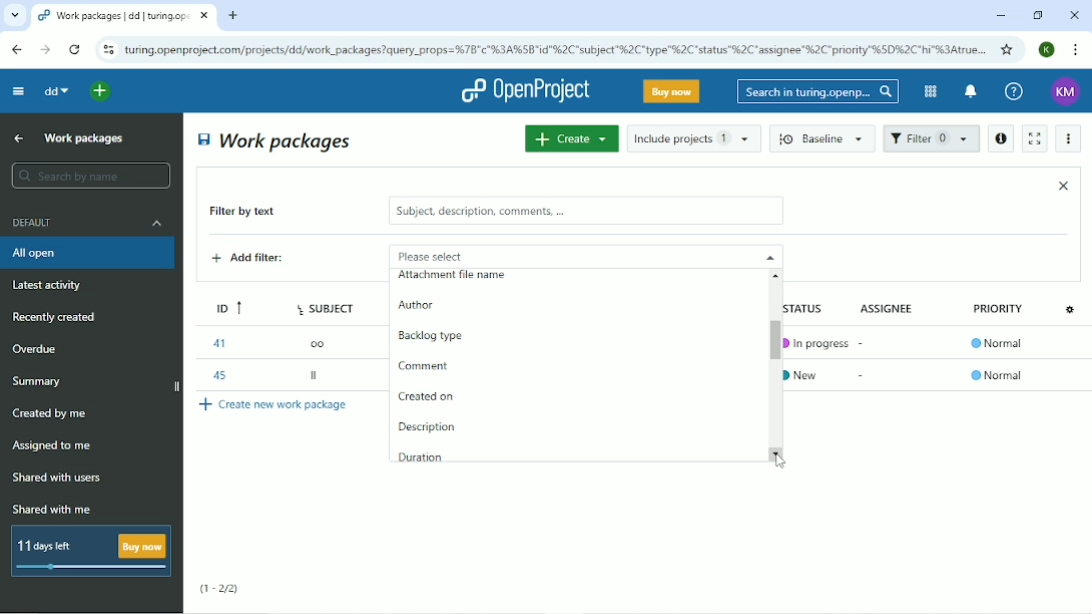  What do you see at coordinates (969, 93) in the screenshot?
I see `To notification center` at bounding box center [969, 93].